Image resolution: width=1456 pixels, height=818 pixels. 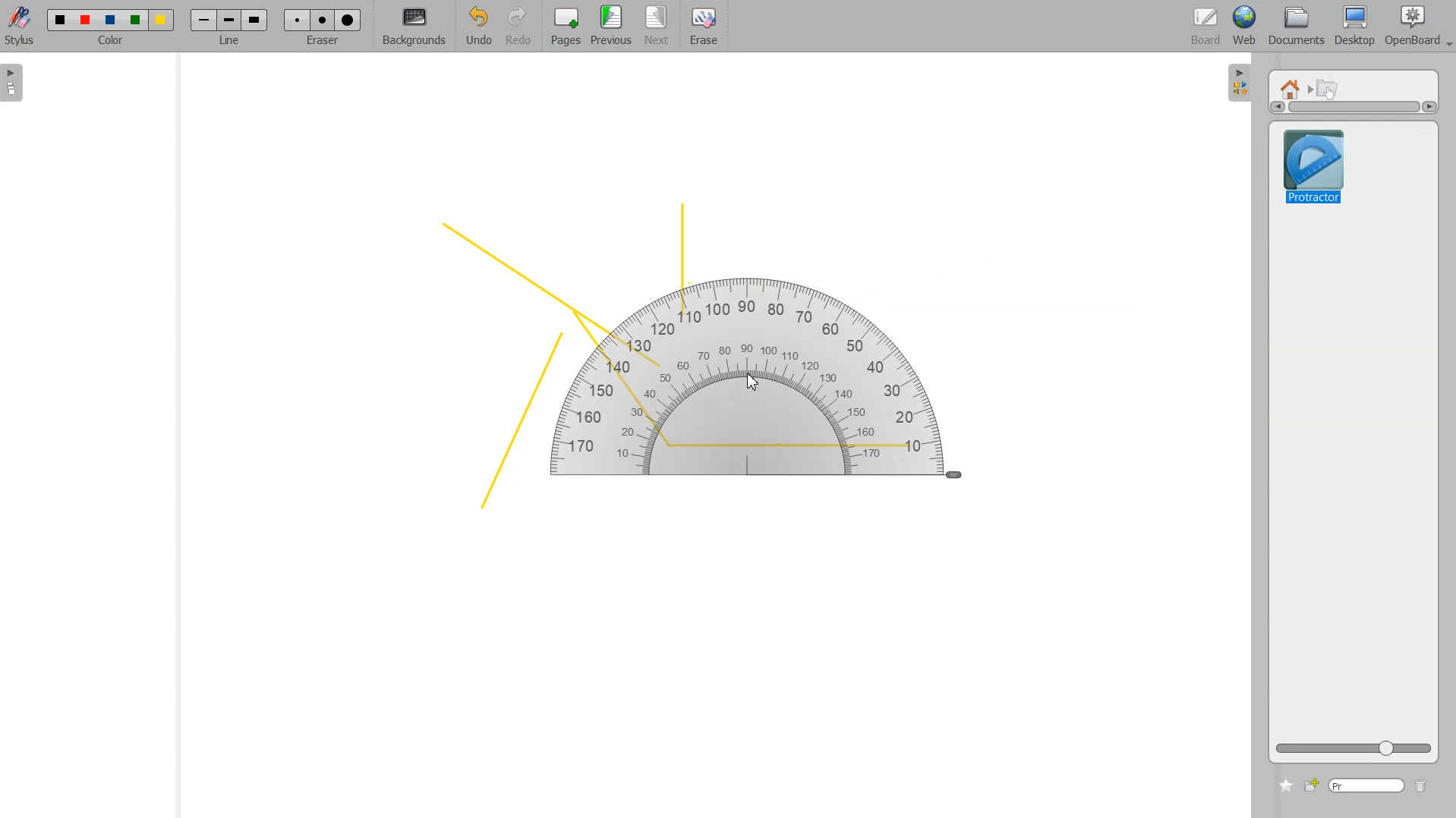 I want to click on Erase, so click(x=703, y=27).